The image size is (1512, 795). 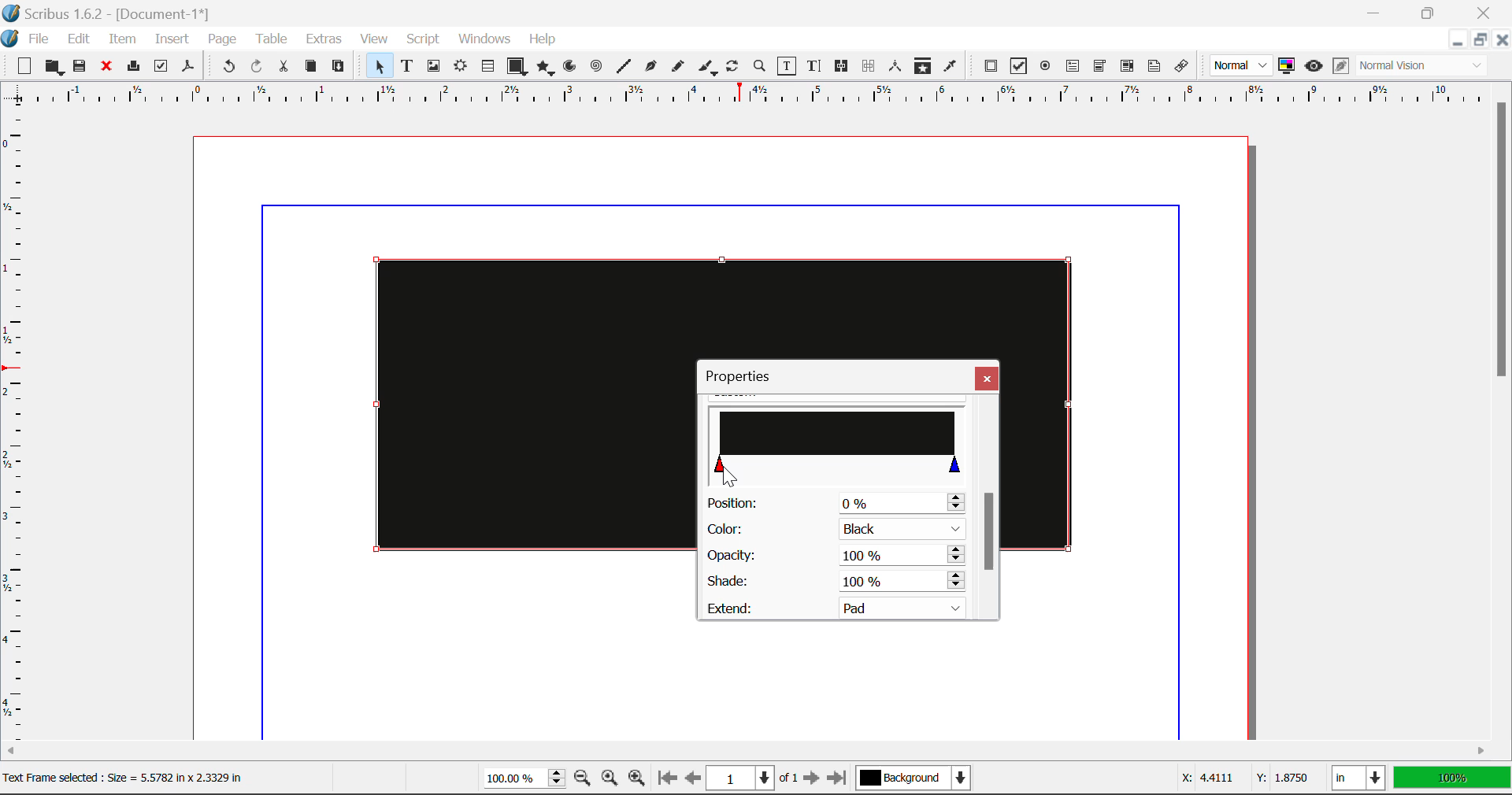 I want to click on Horizontal Page Margins, so click(x=20, y=431).